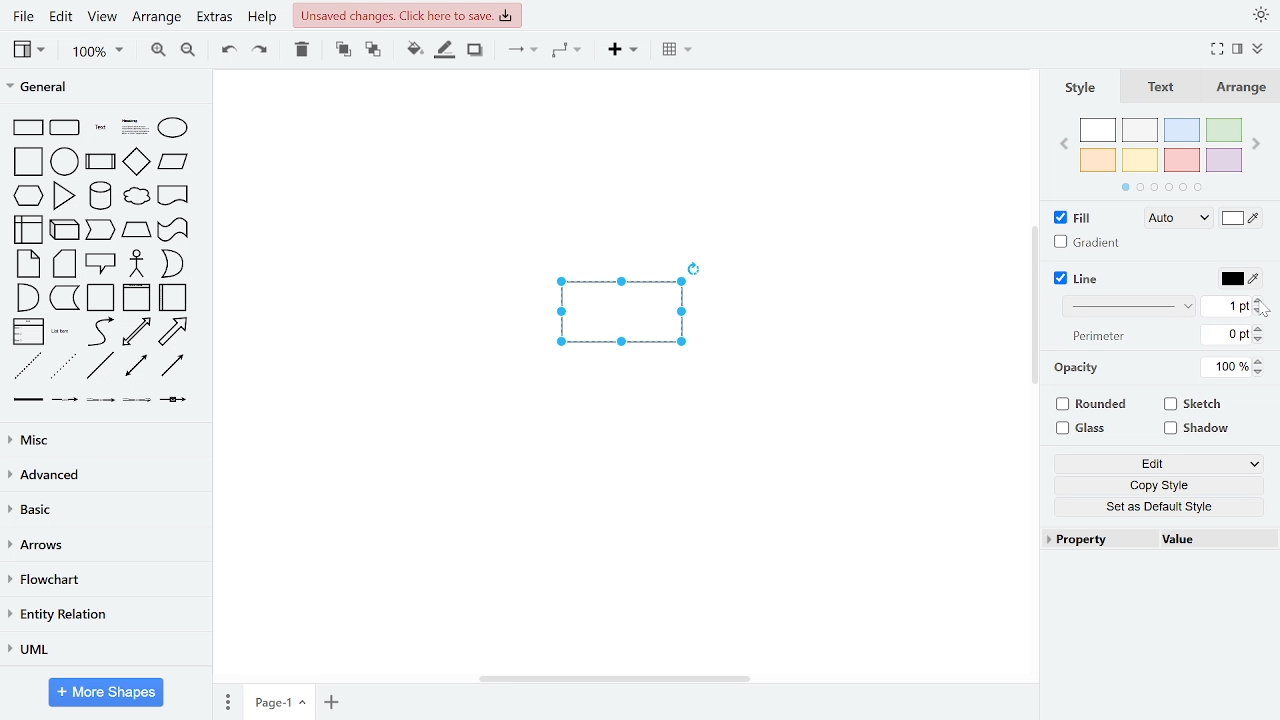 The image size is (1280, 720). I want to click on current line width, so click(1228, 307).